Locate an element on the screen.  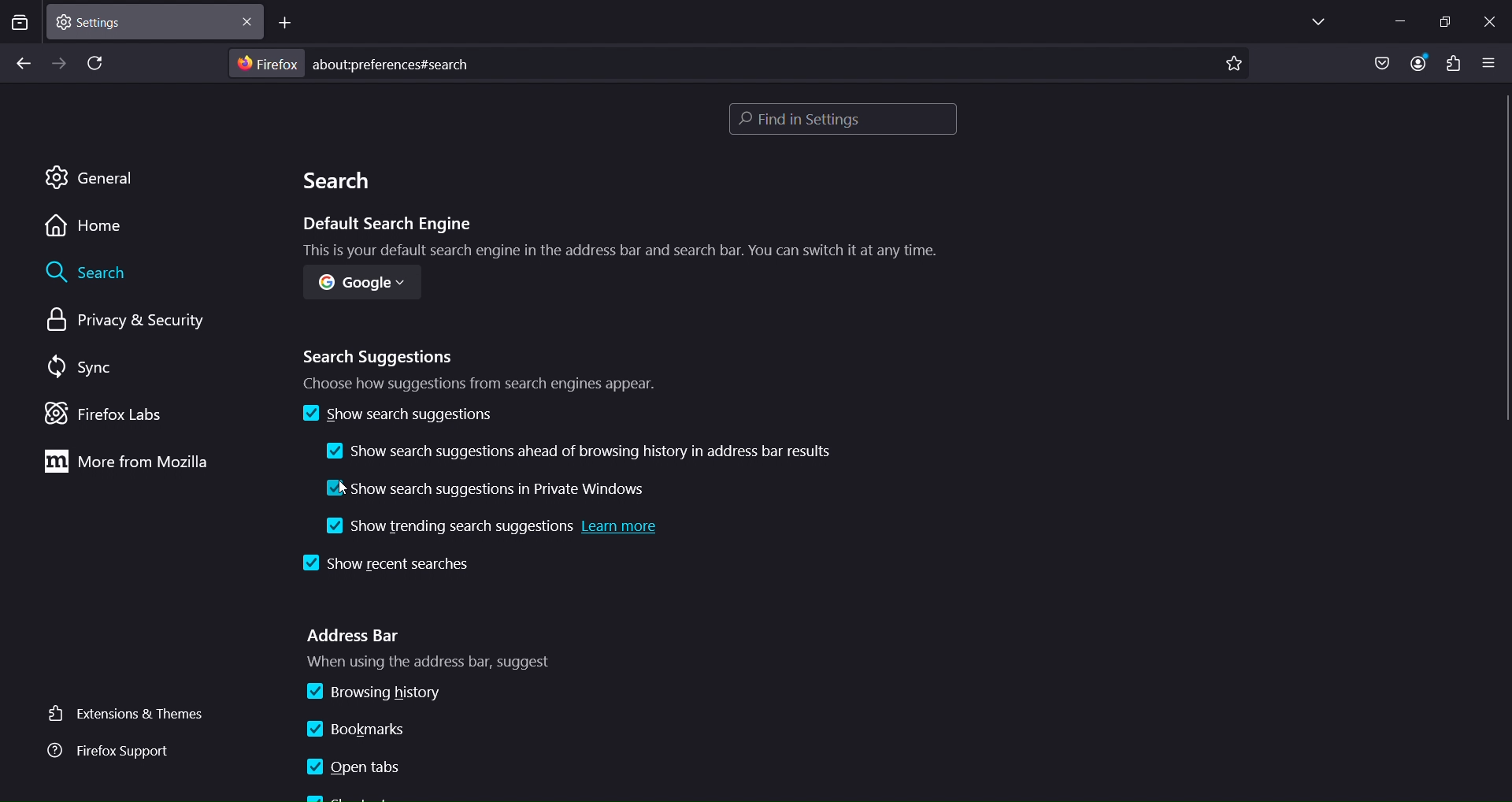
show search suggestions is located at coordinates (396, 414).